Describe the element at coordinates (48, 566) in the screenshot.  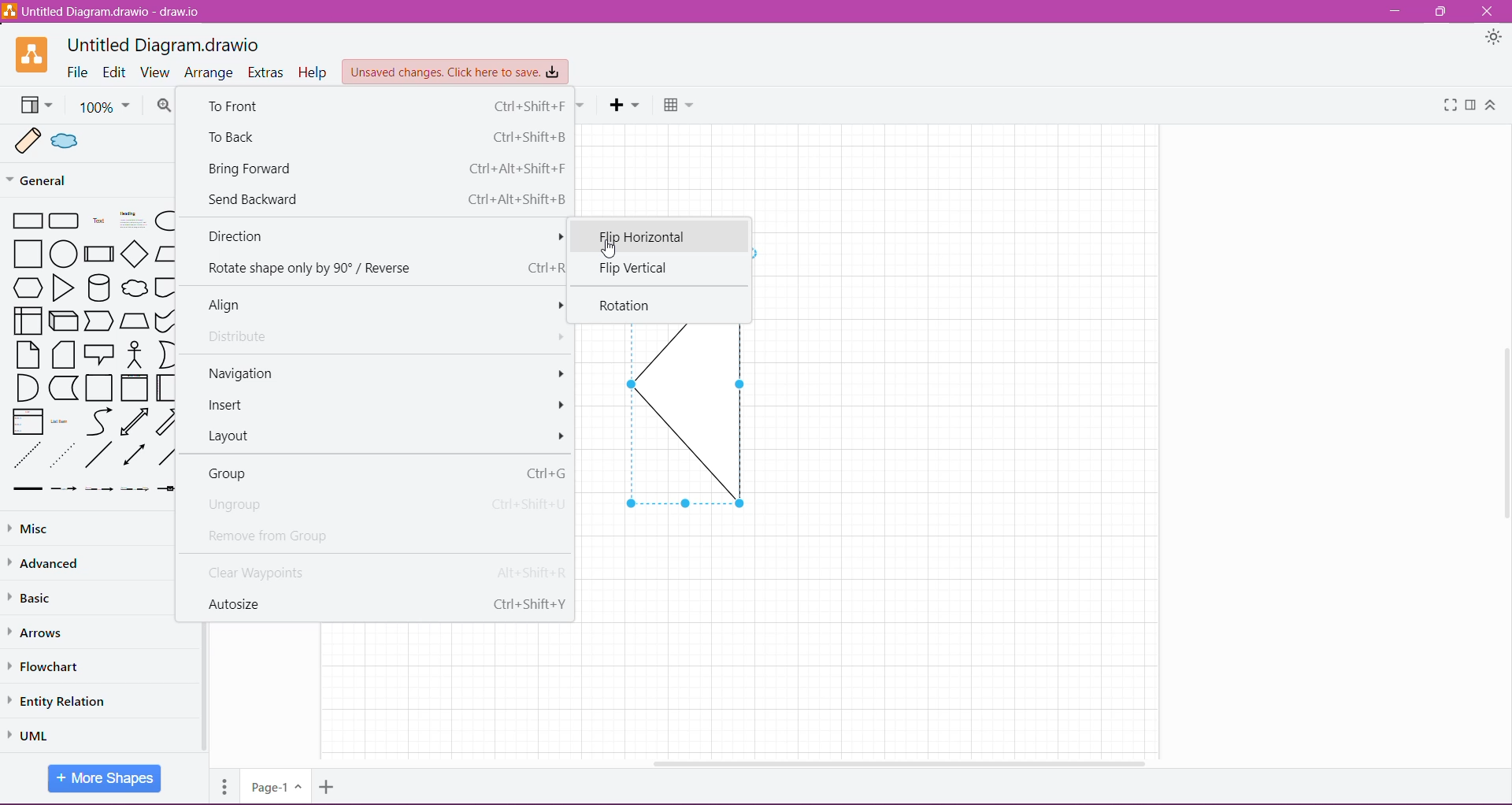
I see `Advanced` at that location.